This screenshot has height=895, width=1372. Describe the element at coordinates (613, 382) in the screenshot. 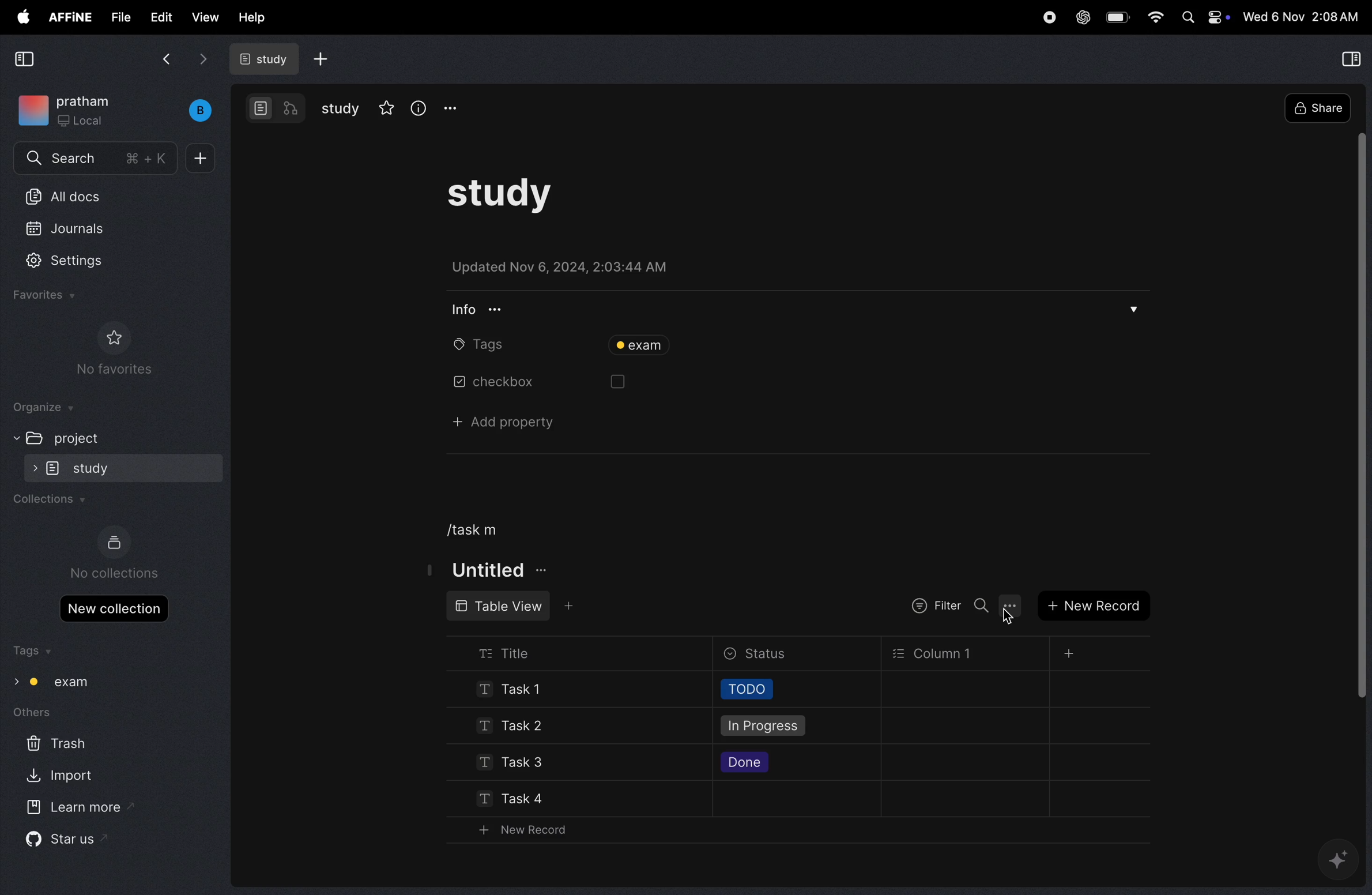

I see `box` at that location.